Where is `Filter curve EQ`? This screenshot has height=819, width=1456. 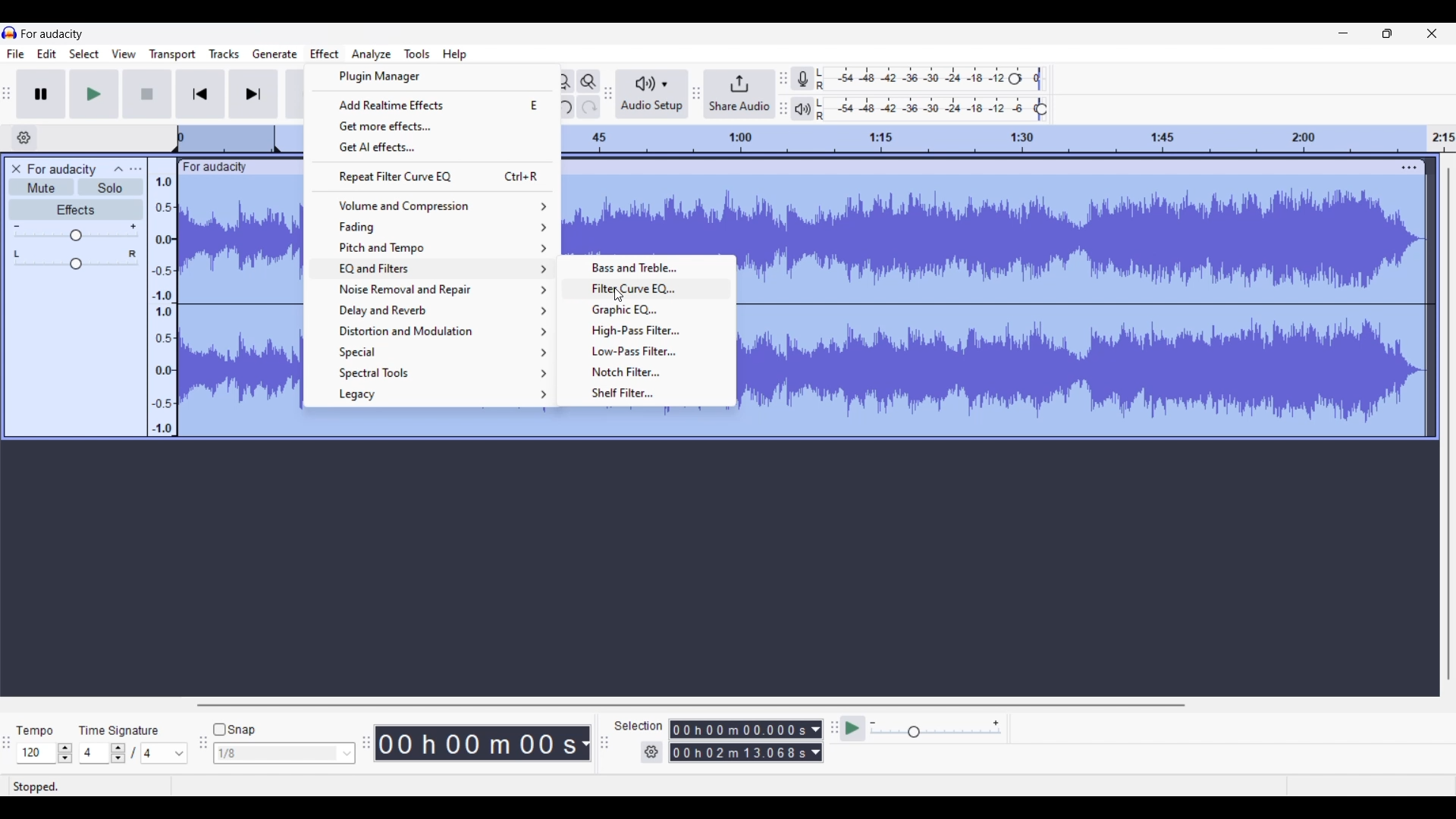
Filter curve EQ is located at coordinates (649, 288).